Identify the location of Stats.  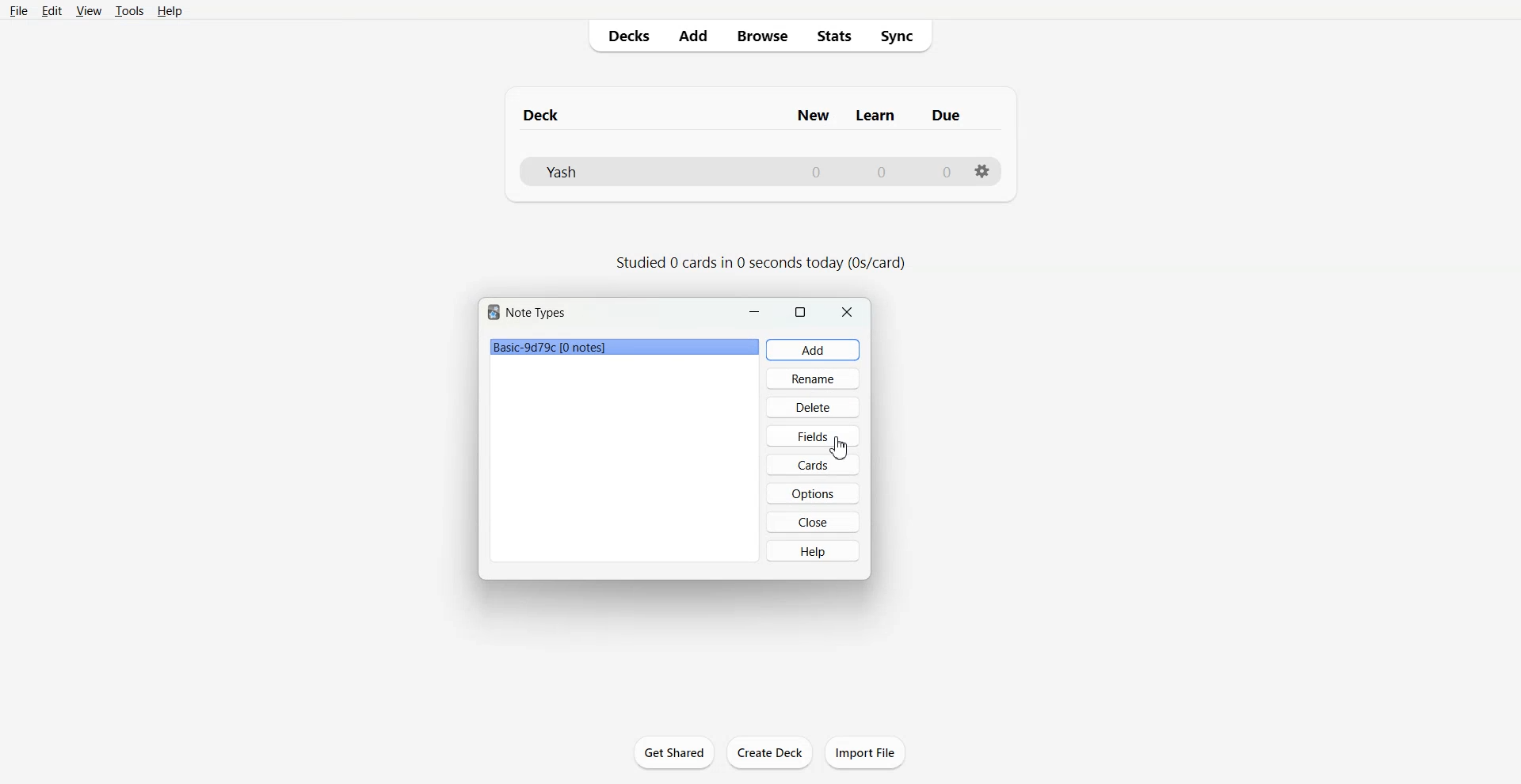
(835, 36).